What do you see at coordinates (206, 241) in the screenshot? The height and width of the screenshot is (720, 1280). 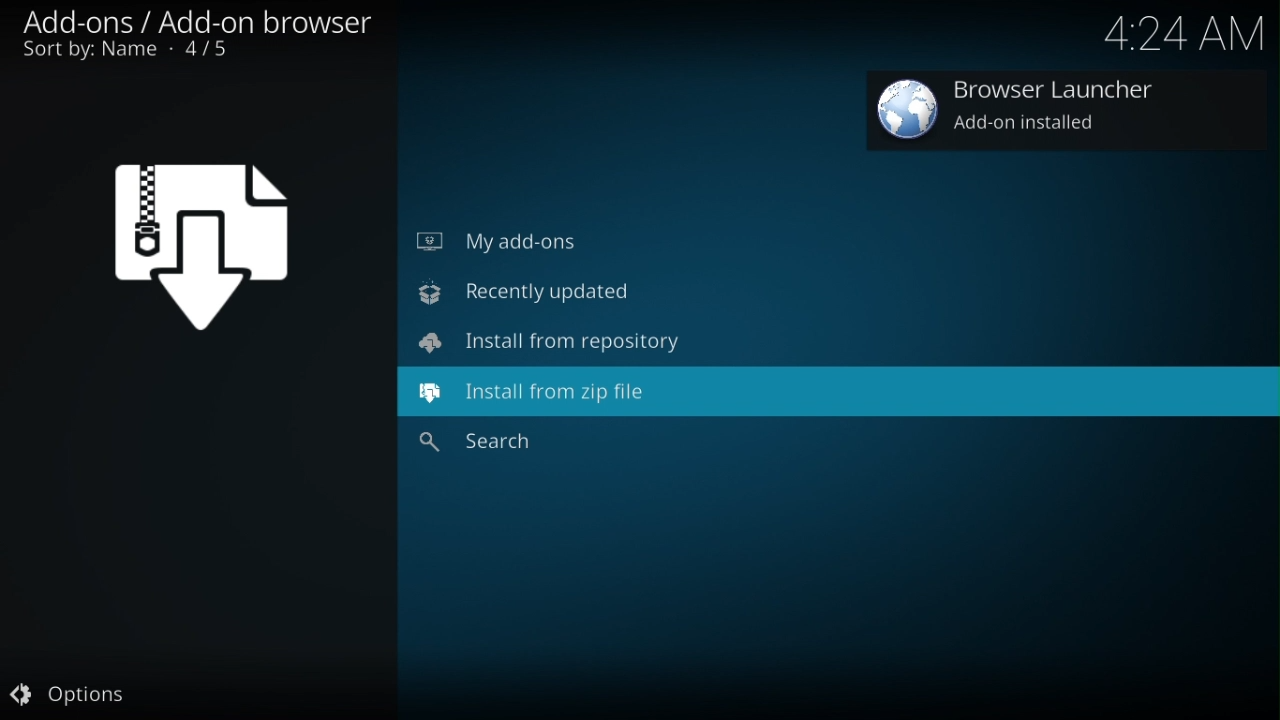 I see `image` at bounding box center [206, 241].